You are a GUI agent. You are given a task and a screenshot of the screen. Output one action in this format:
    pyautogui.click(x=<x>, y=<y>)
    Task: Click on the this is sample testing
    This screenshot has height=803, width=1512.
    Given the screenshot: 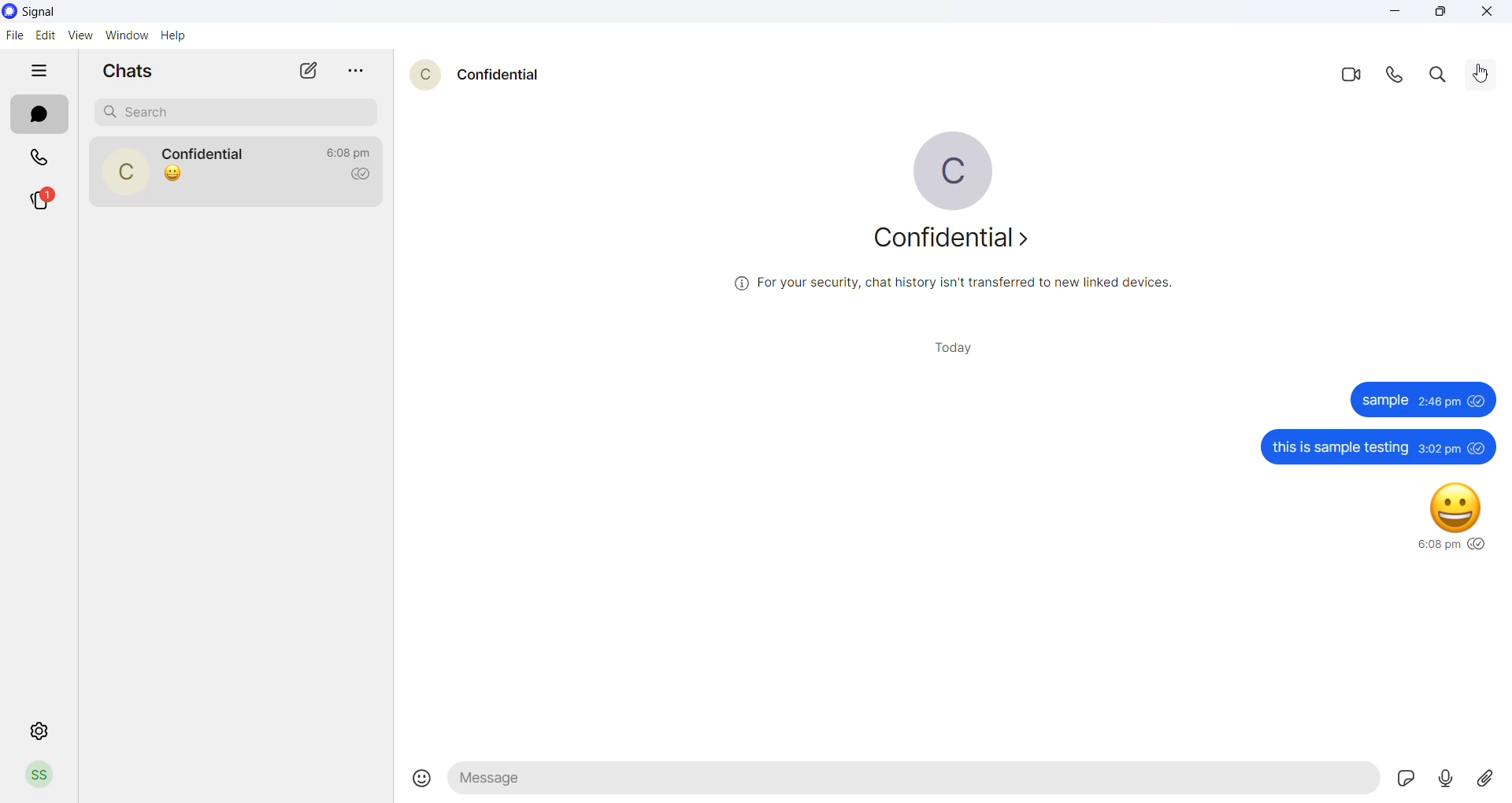 What is the action you would take?
    pyautogui.click(x=1340, y=447)
    